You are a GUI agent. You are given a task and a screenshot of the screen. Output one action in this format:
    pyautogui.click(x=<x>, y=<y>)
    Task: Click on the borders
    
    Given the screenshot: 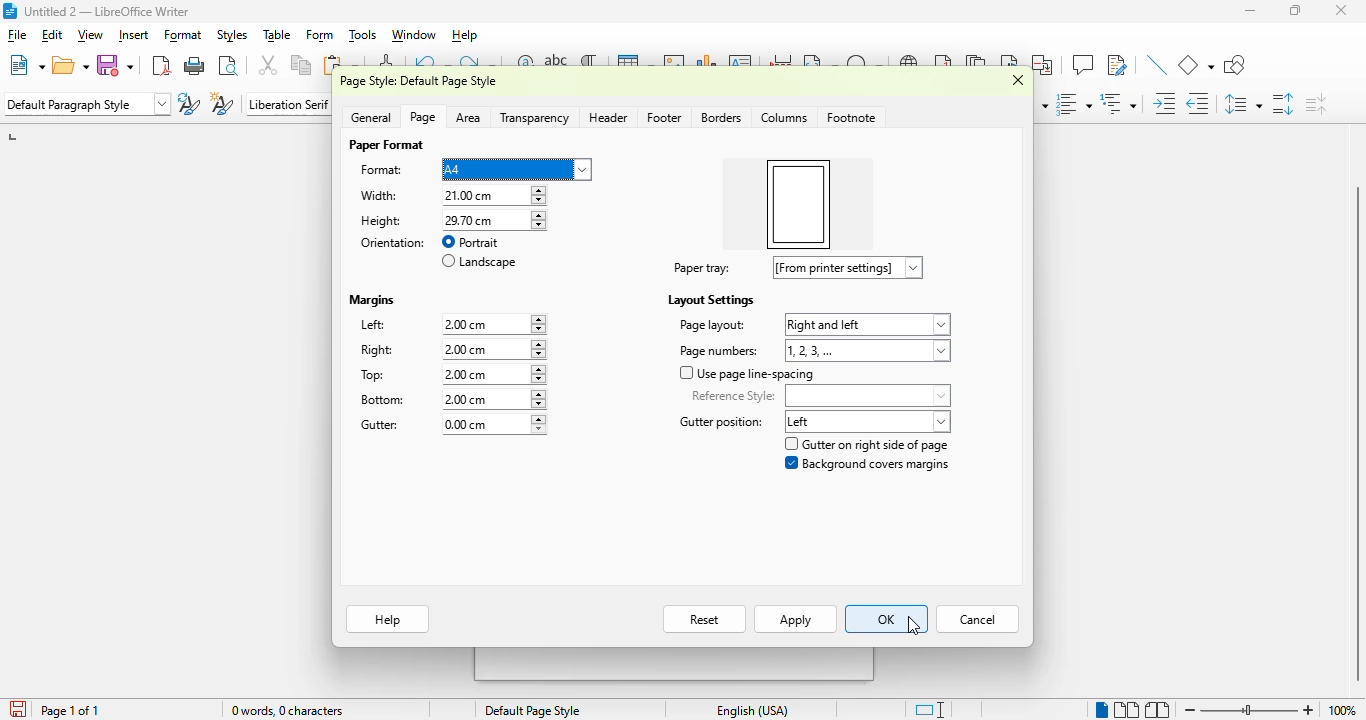 What is the action you would take?
    pyautogui.click(x=720, y=117)
    